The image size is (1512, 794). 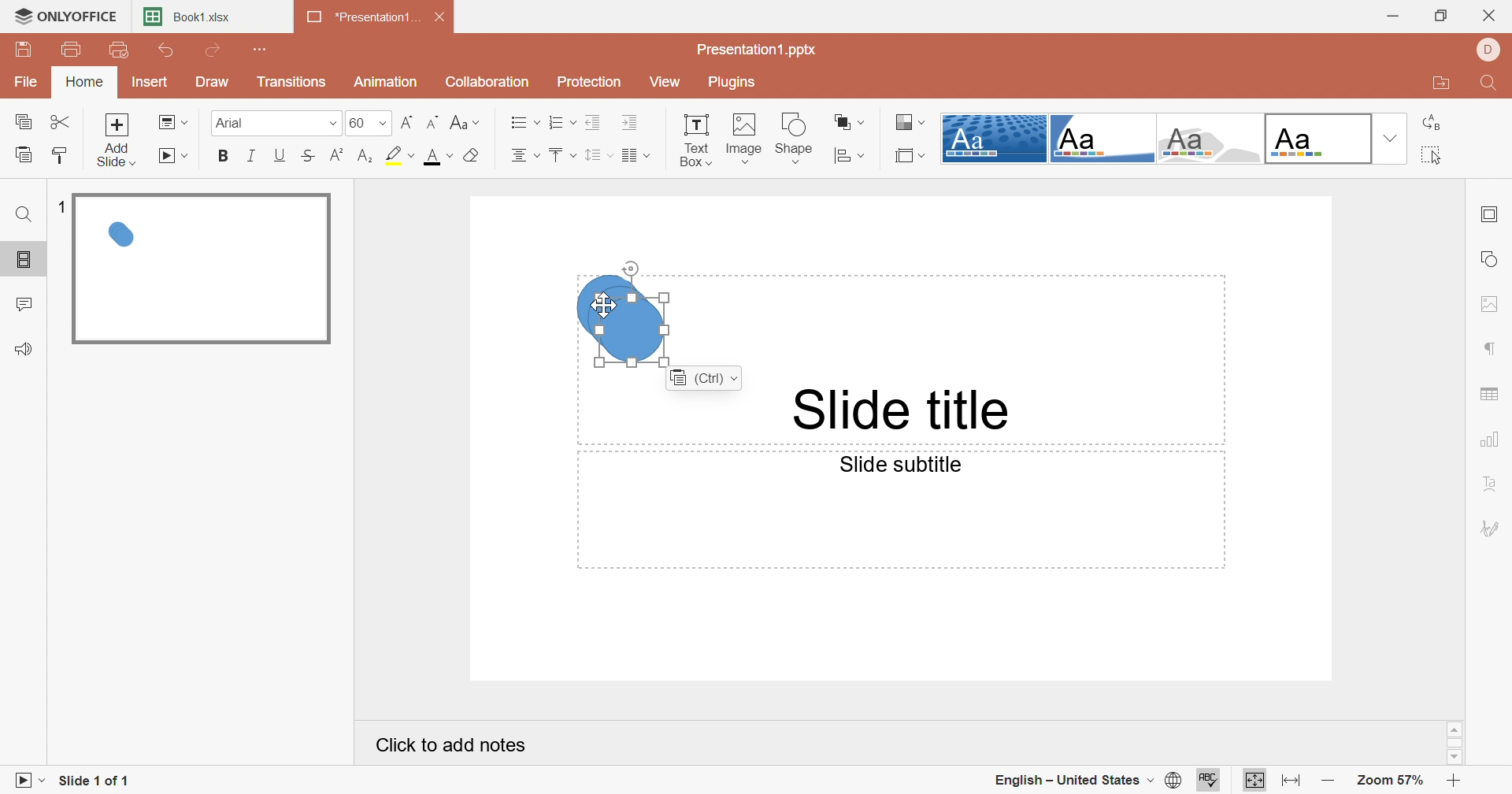 What do you see at coordinates (1494, 12) in the screenshot?
I see `Close` at bounding box center [1494, 12].